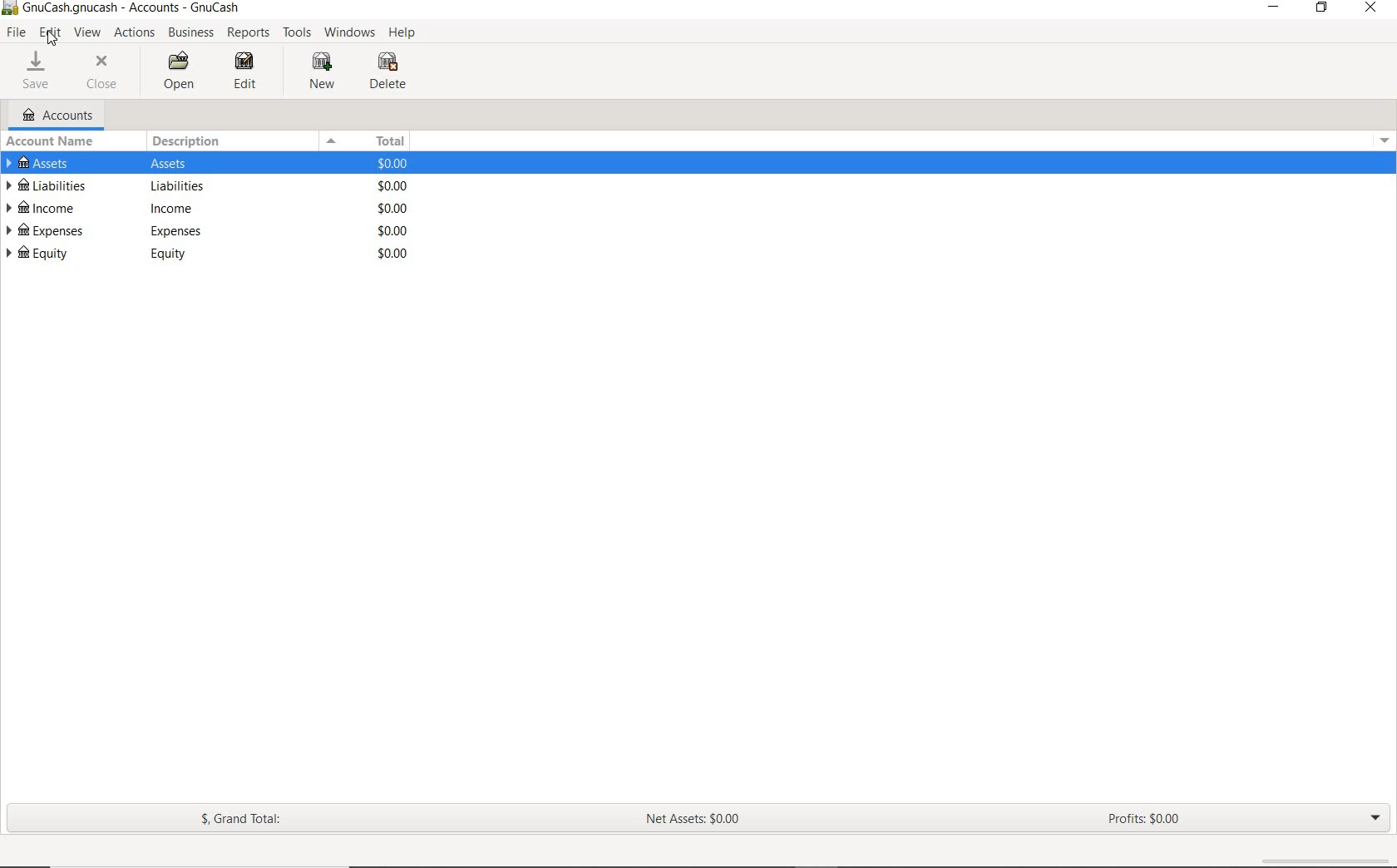 The width and height of the screenshot is (1397, 868). What do you see at coordinates (49, 33) in the screenshot?
I see `EDIT` at bounding box center [49, 33].